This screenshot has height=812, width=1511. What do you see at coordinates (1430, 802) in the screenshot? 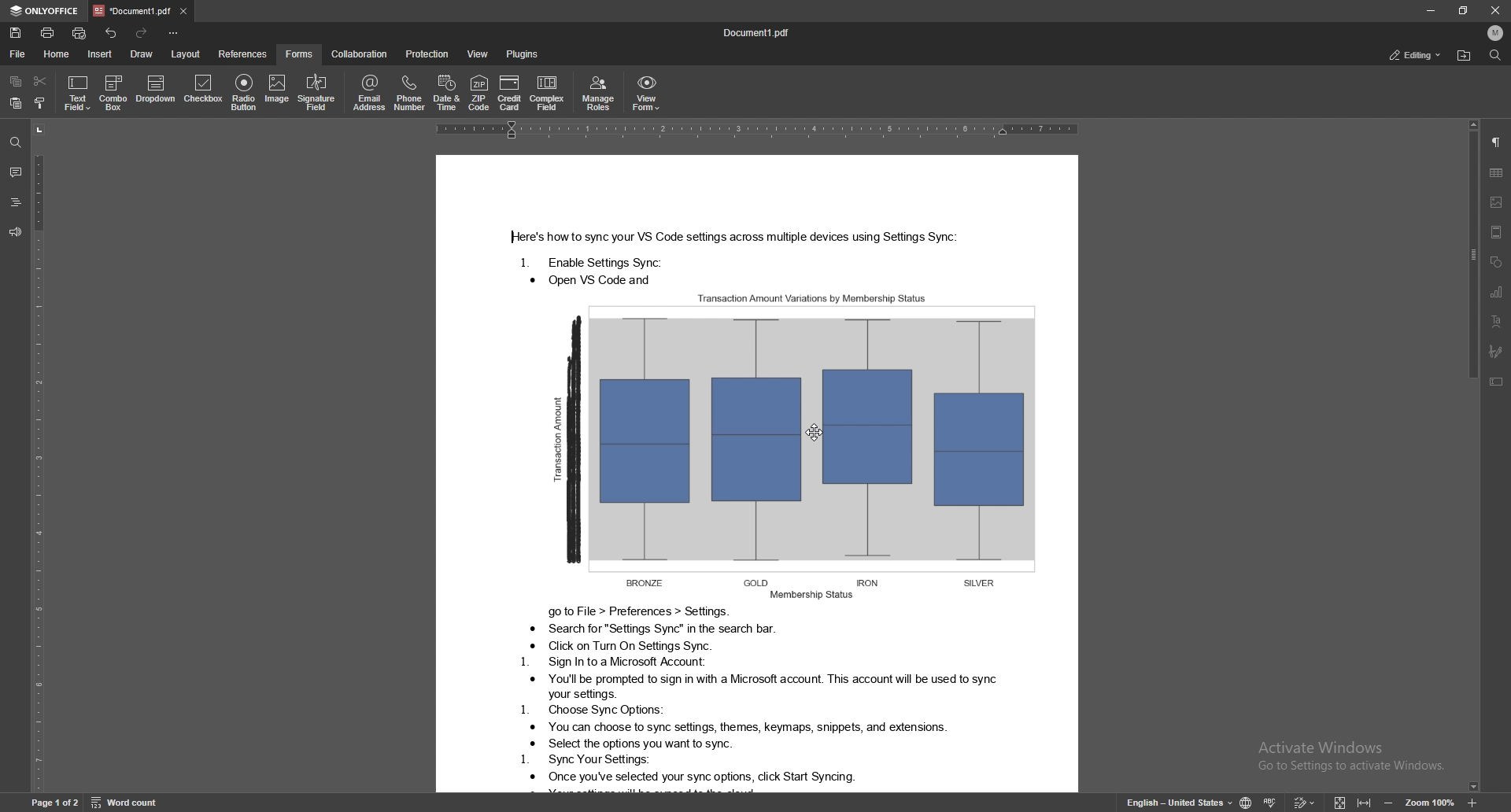
I see `zoom` at bounding box center [1430, 802].